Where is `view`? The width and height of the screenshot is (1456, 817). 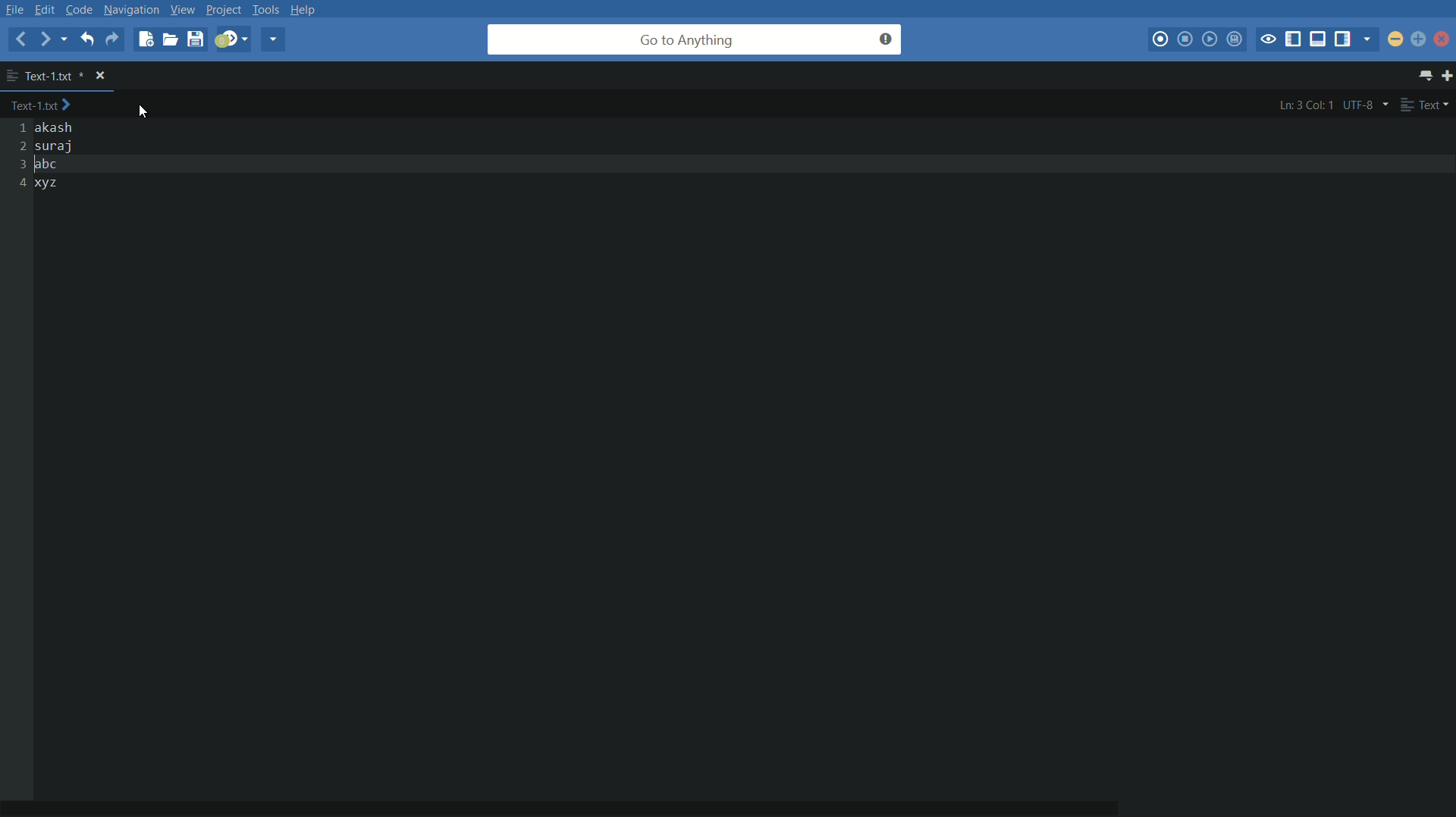
view is located at coordinates (180, 9).